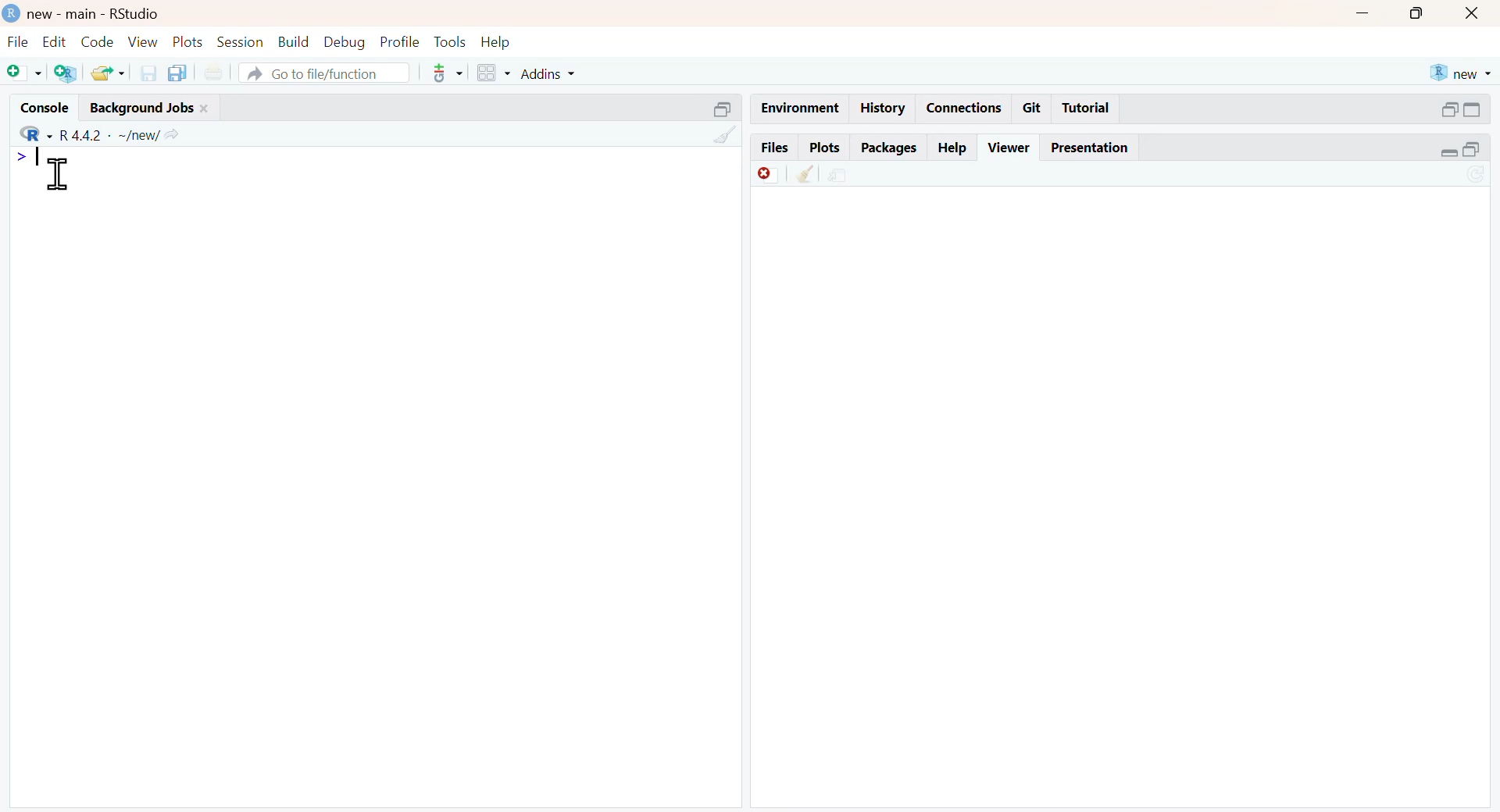 The image size is (1500, 812). What do you see at coordinates (806, 173) in the screenshot?
I see `clear console` at bounding box center [806, 173].